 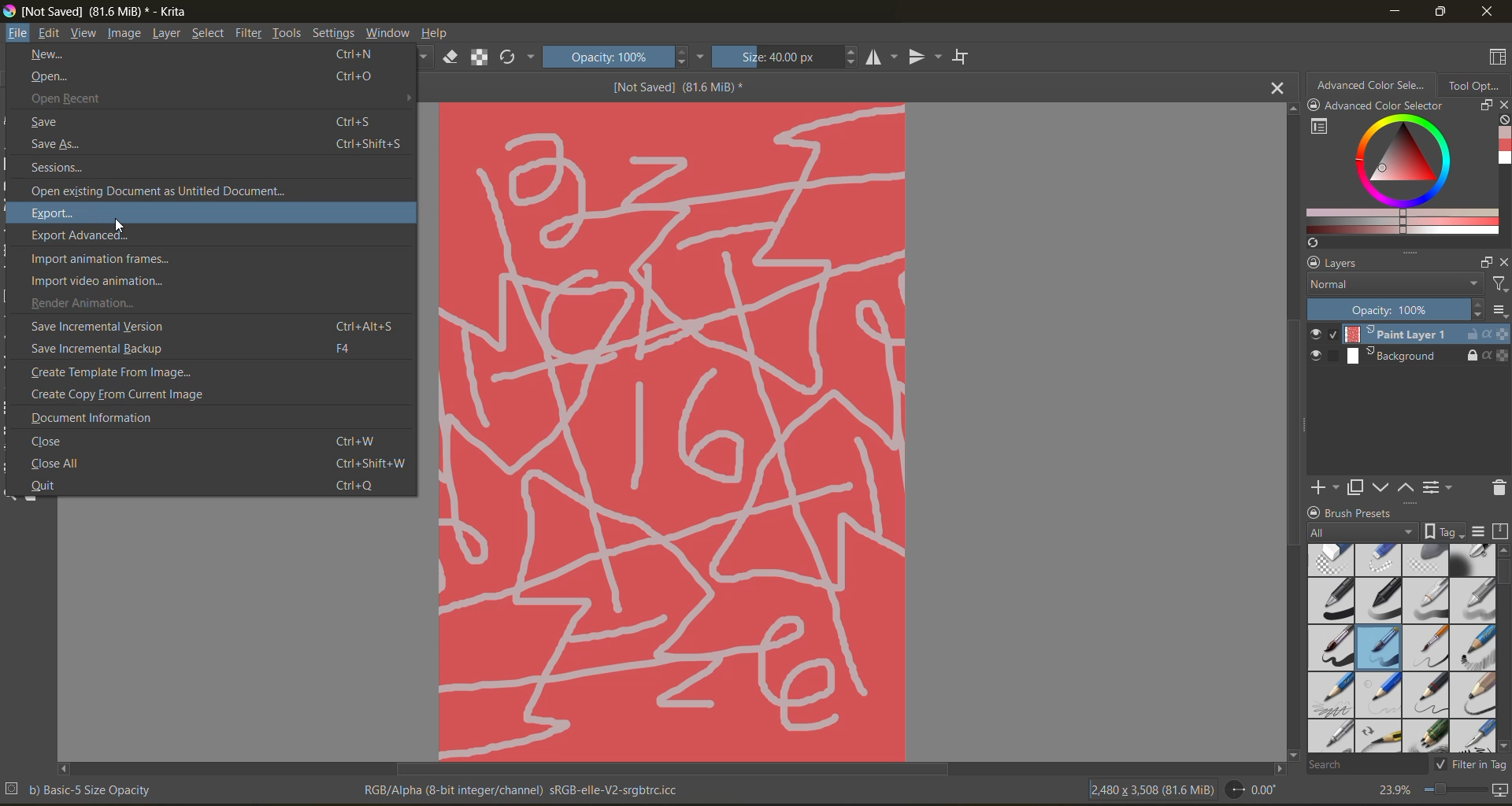 I want to click on Vertical scroll bar, so click(x=1290, y=430).